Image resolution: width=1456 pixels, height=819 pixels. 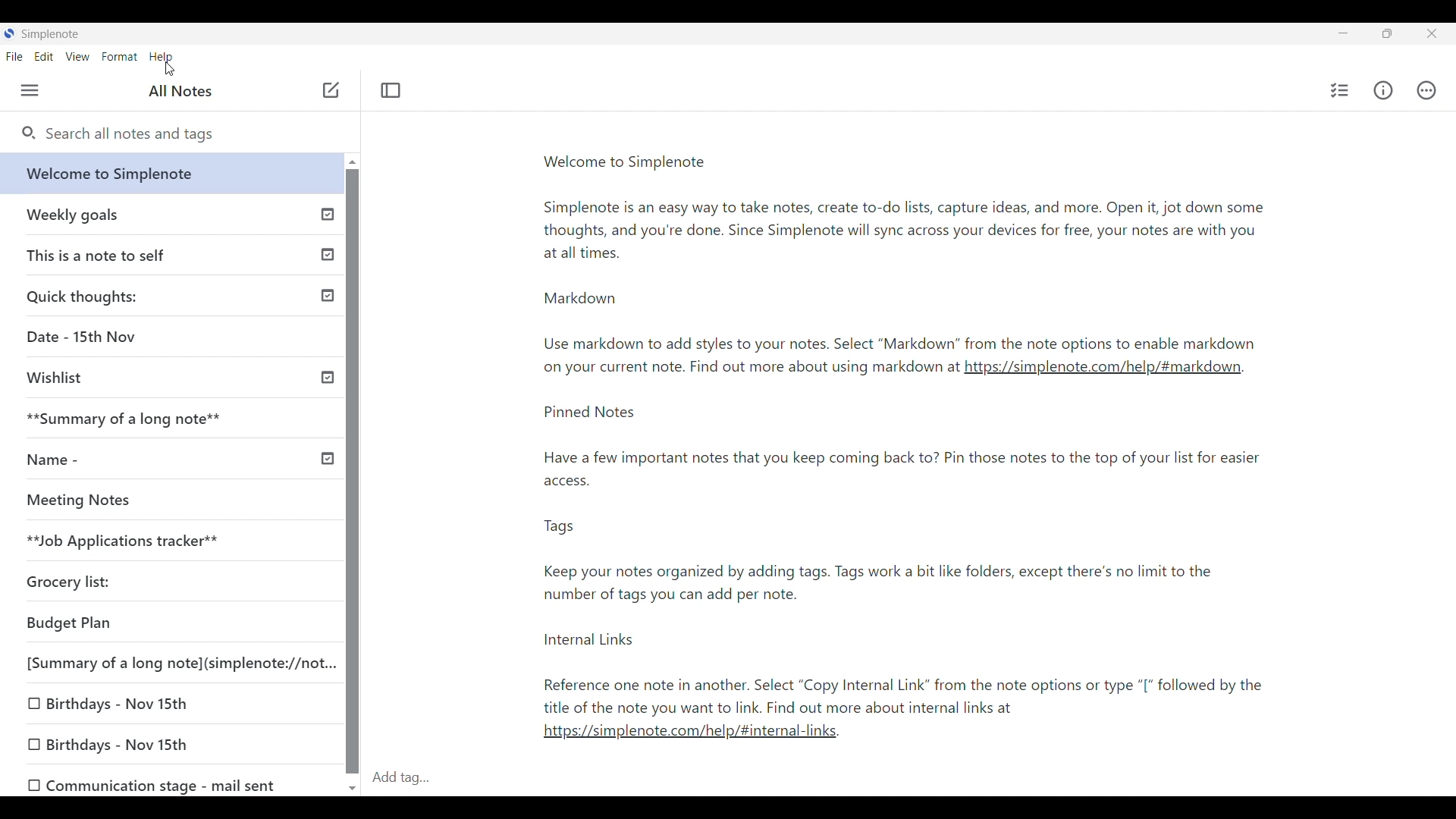 What do you see at coordinates (629, 158) in the screenshot?
I see `Welcome to Simplenote` at bounding box center [629, 158].